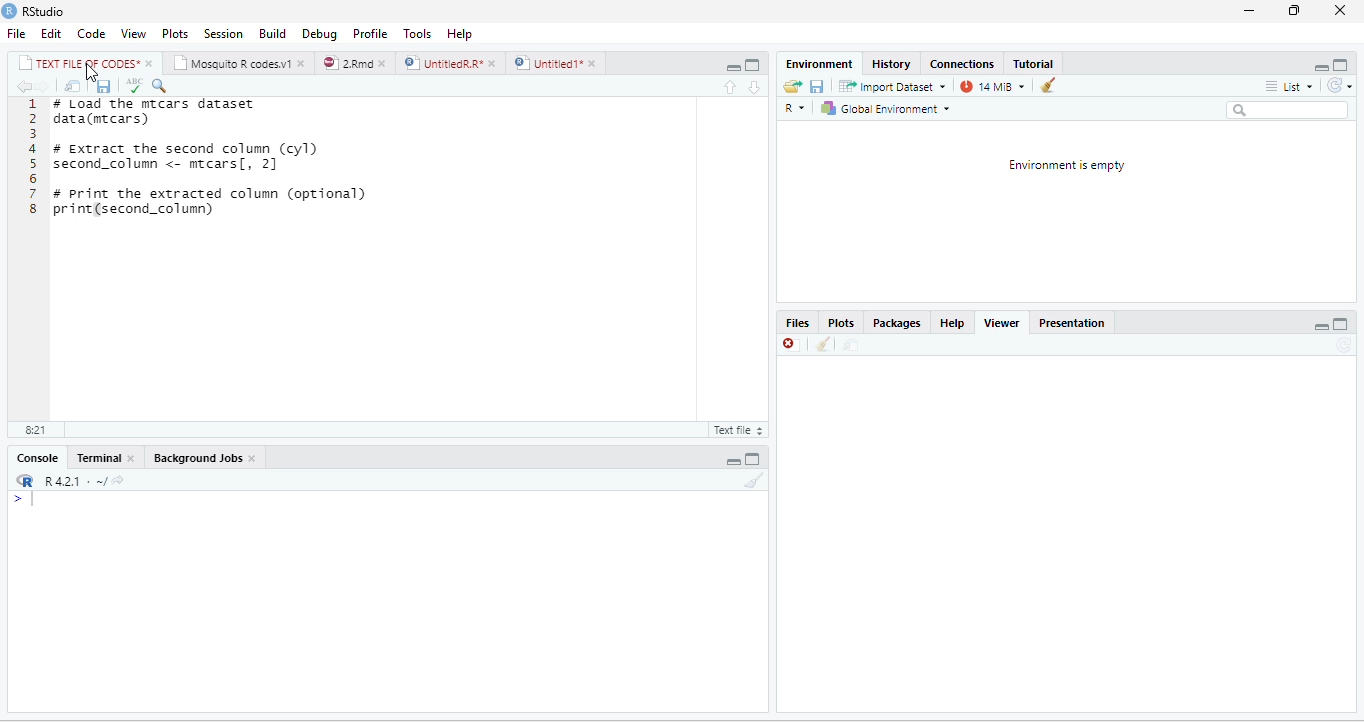 Image resolution: width=1364 pixels, height=722 pixels. What do you see at coordinates (33, 431) in the screenshot?
I see `8:21` at bounding box center [33, 431].